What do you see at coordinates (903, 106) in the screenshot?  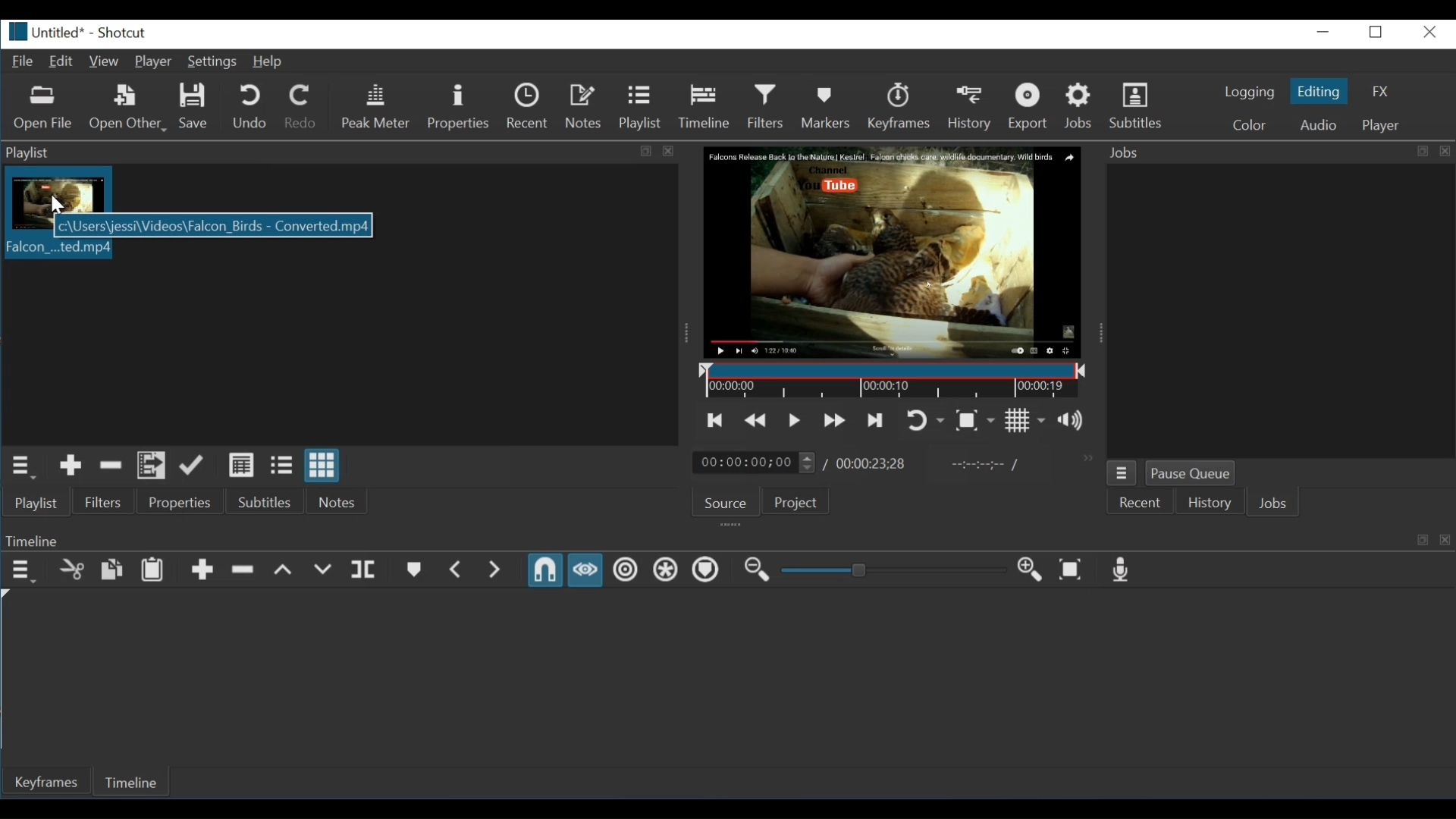 I see `Keyframes` at bounding box center [903, 106].